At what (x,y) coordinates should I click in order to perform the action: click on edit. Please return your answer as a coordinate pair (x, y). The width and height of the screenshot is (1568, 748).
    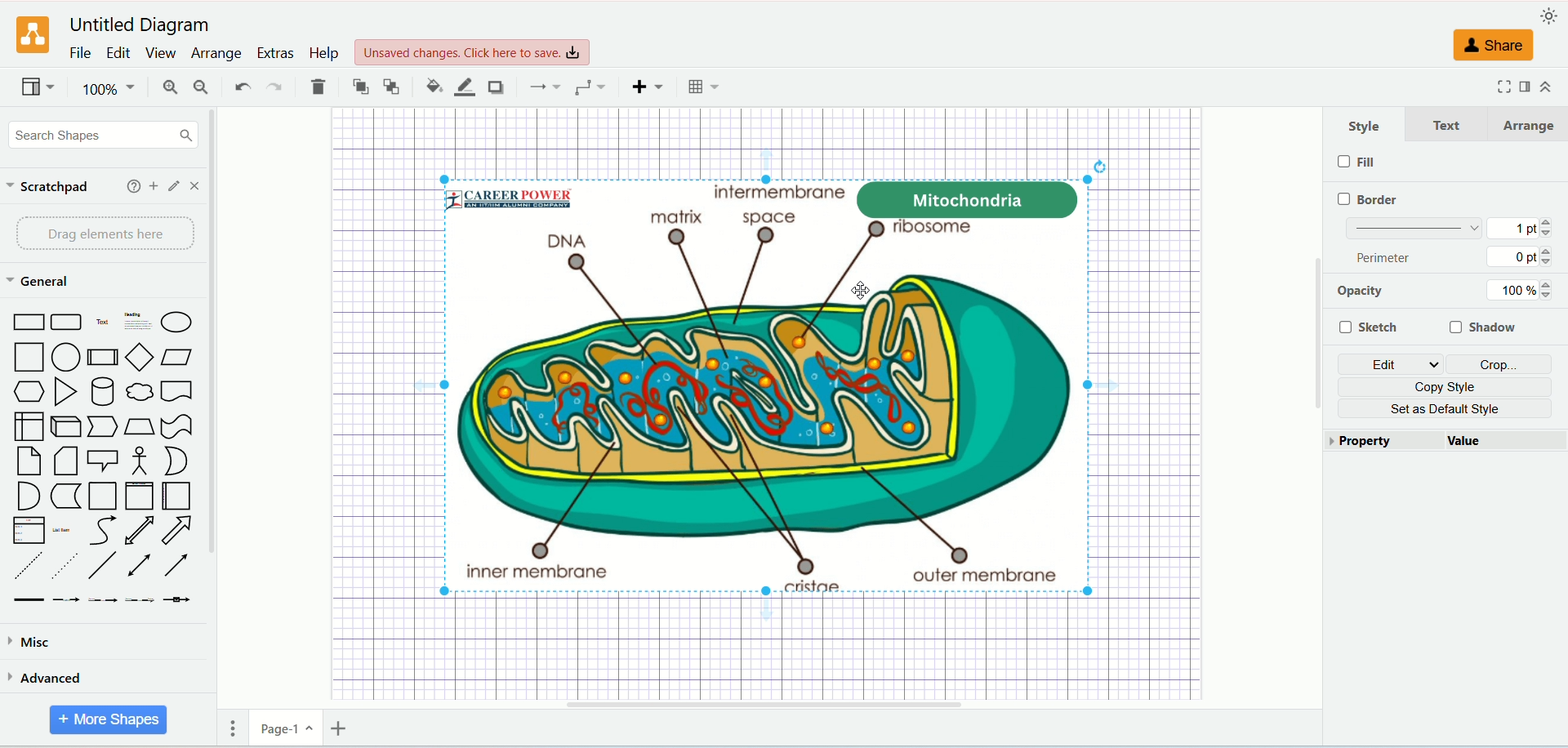
    Looking at the image, I should click on (1389, 363).